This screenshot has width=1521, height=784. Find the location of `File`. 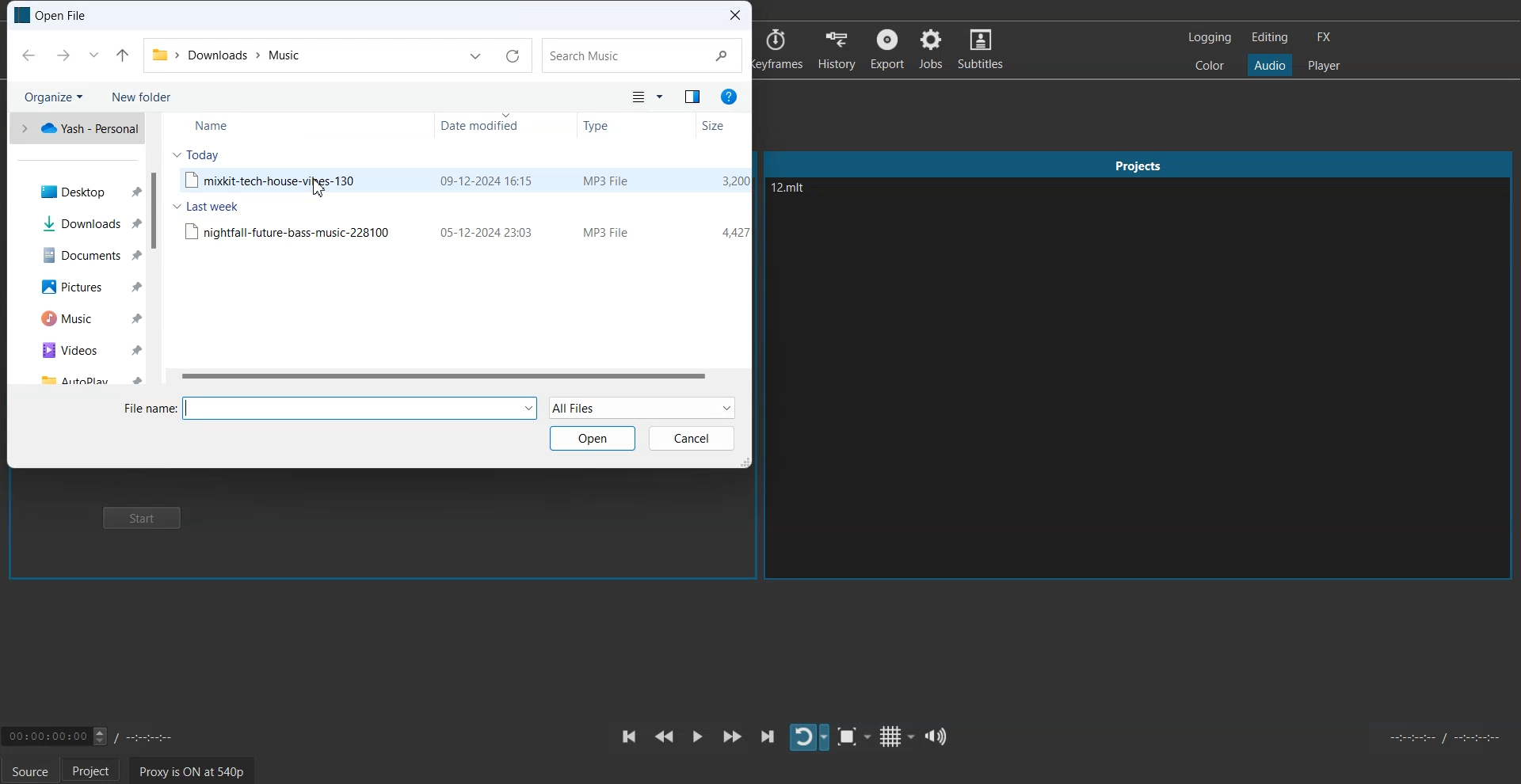

File is located at coordinates (463, 180).